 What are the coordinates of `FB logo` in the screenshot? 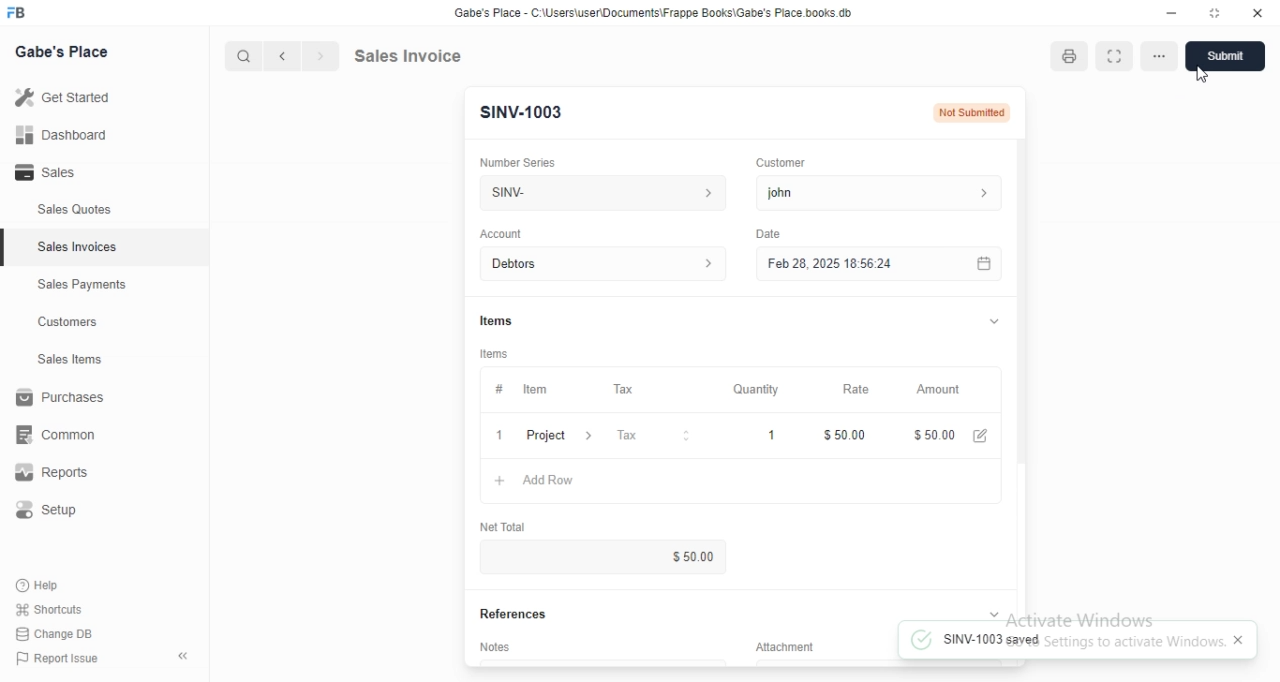 It's located at (20, 13).